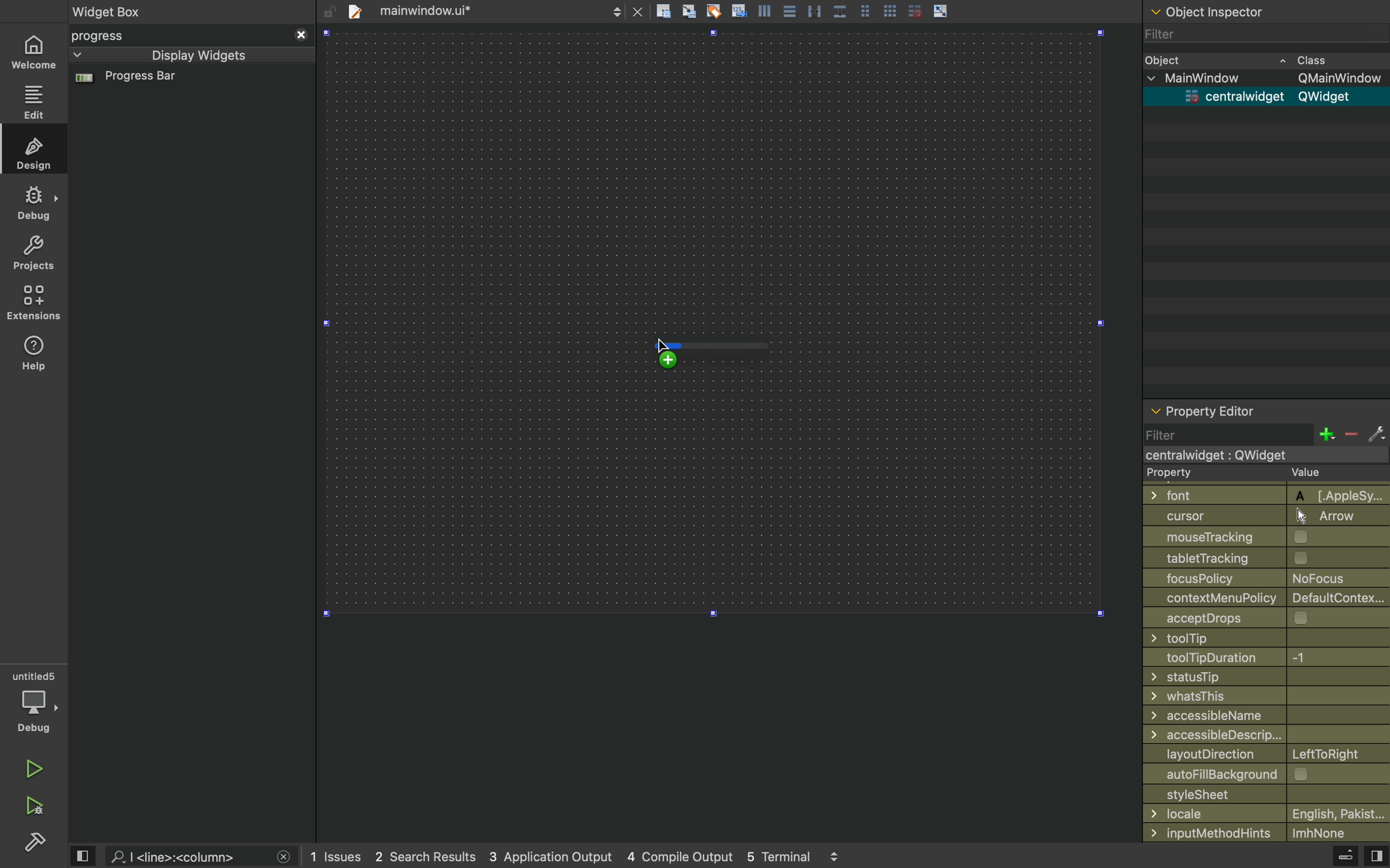  What do you see at coordinates (1267, 813) in the screenshot?
I see `locale` at bounding box center [1267, 813].